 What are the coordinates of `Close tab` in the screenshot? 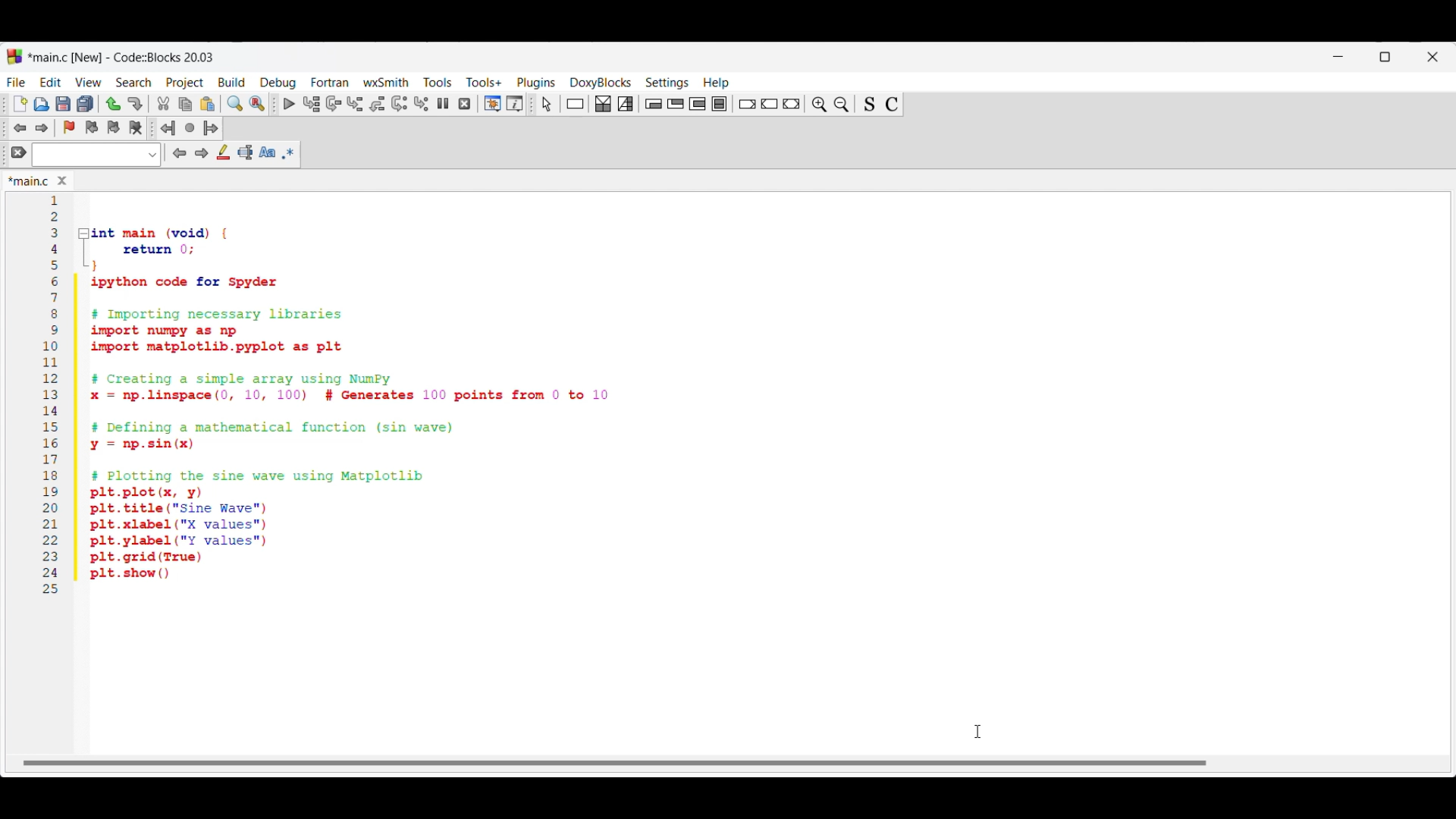 It's located at (62, 180).